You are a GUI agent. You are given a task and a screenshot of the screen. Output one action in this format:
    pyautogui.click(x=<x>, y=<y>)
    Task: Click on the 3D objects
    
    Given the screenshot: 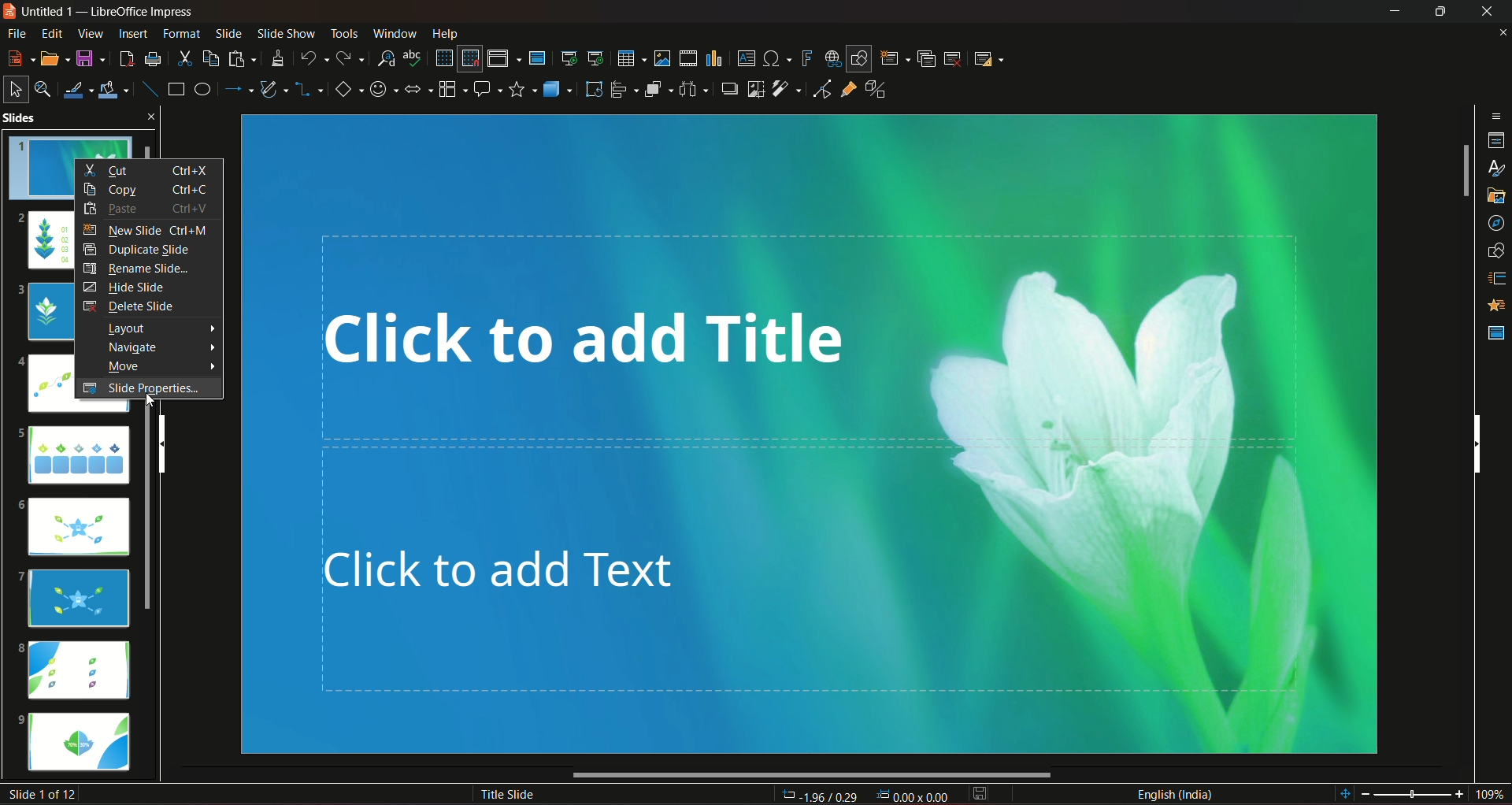 What is the action you would take?
    pyautogui.click(x=557, y=88)
    